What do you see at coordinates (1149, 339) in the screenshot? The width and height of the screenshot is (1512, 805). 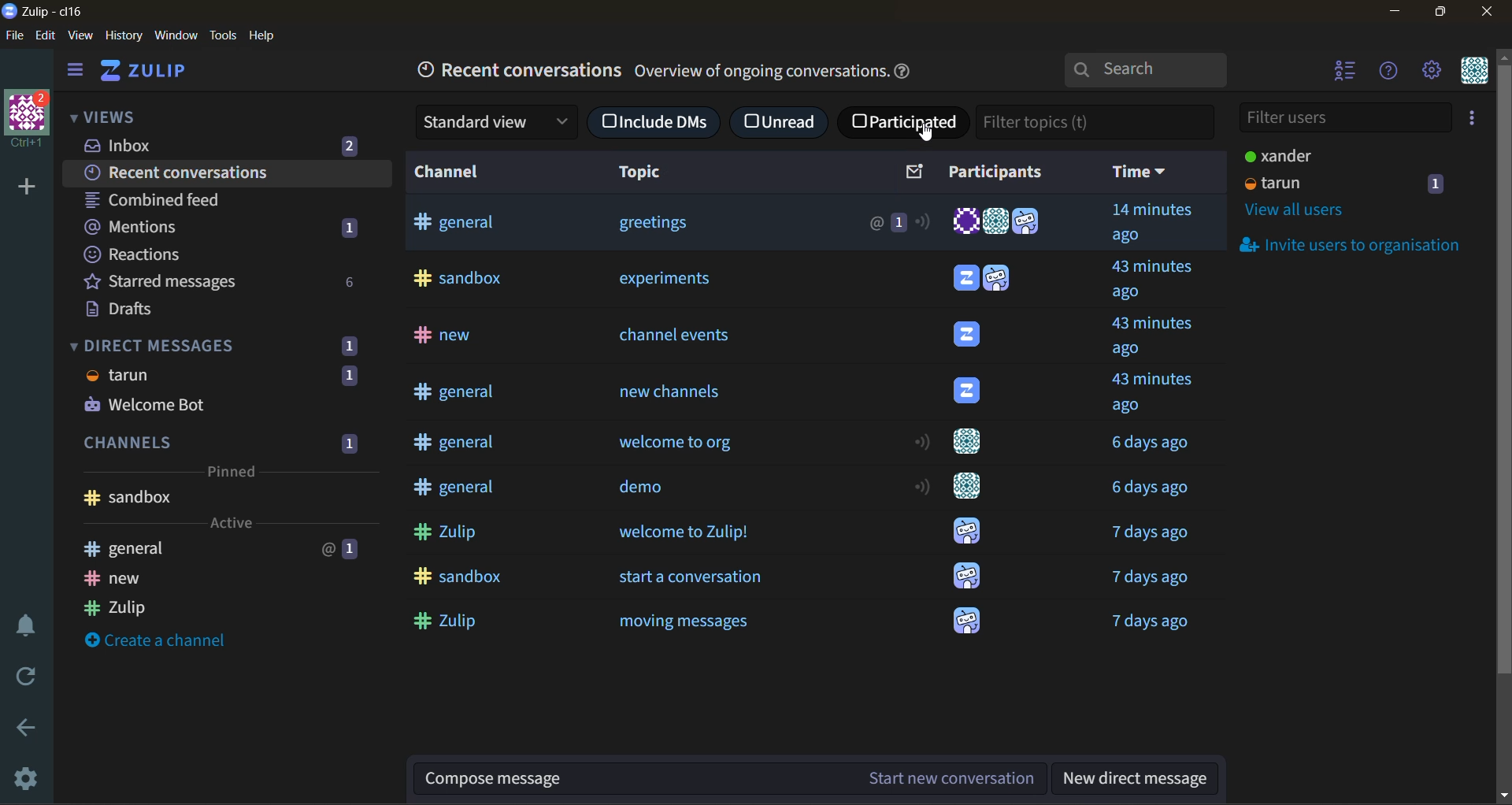 I see `time` at bounding box center [1149, 339].